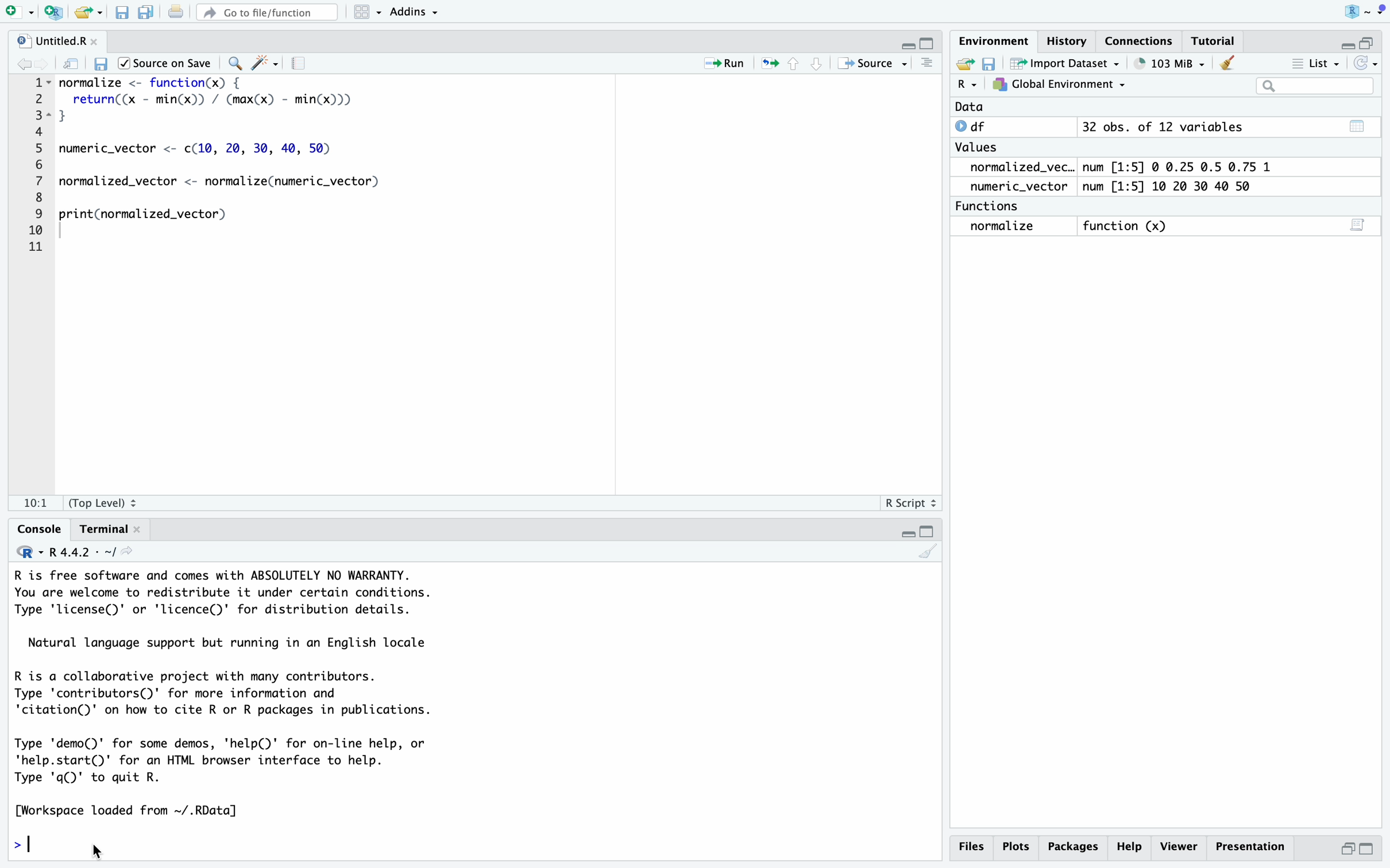  I want to click on Save current document (Ctrl + S), so click(102, 61).